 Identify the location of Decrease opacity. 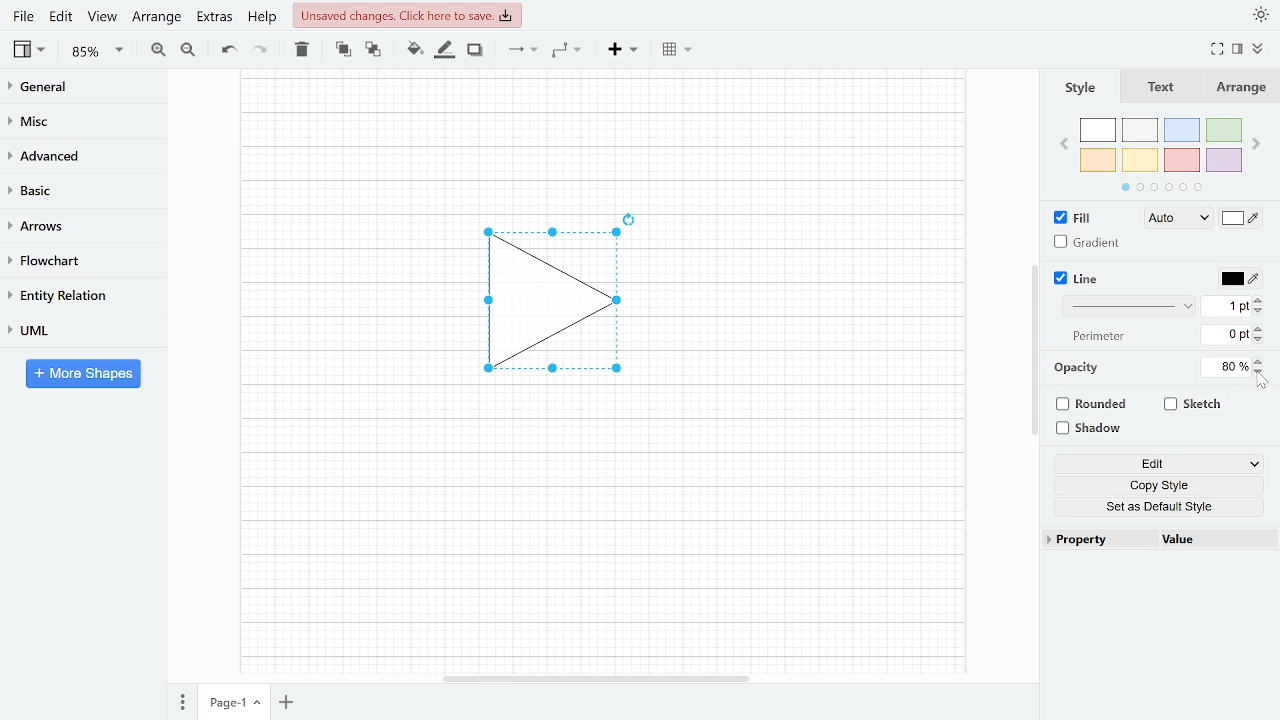
(1261, 372).